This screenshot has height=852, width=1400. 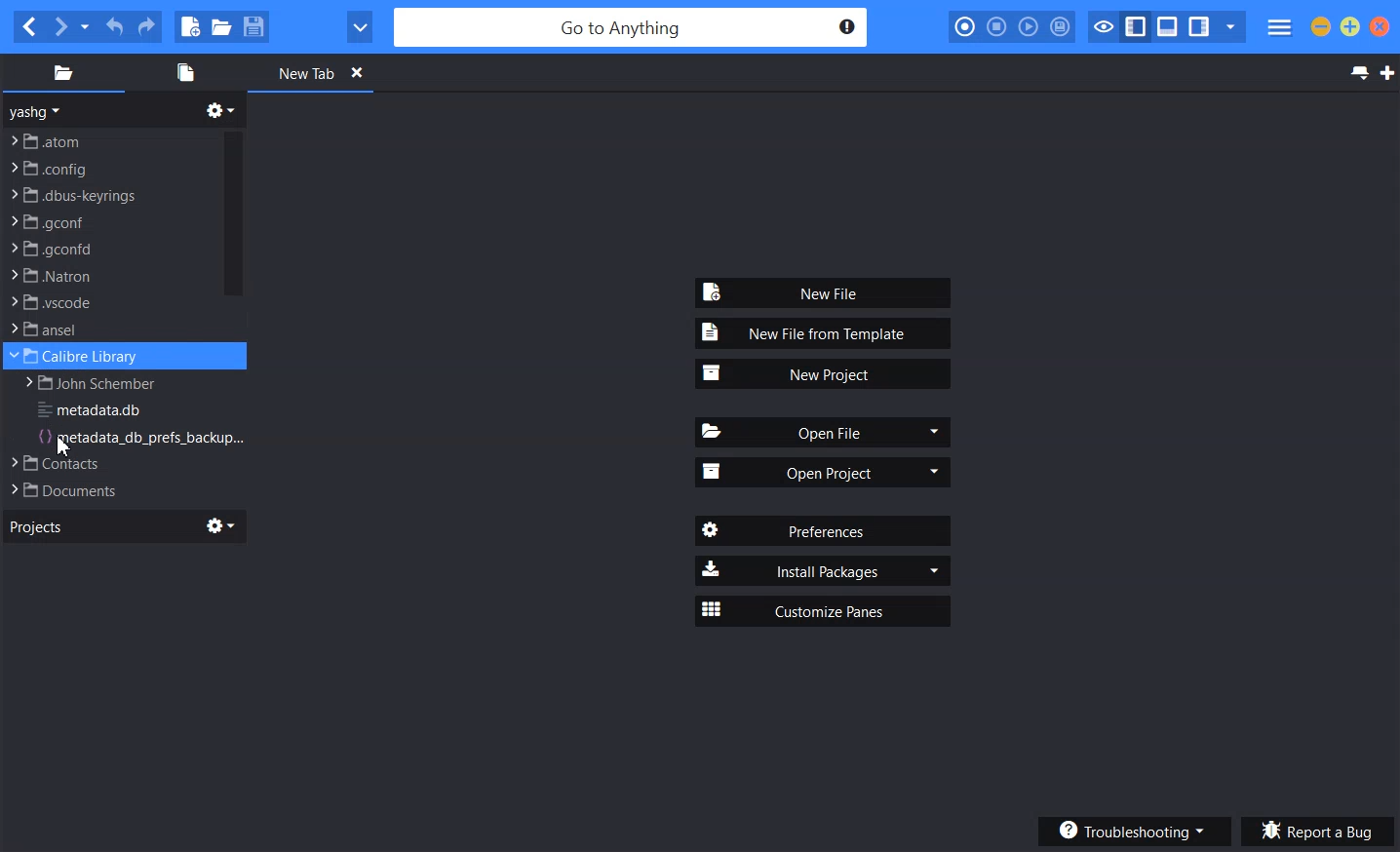 What do you see at coordinates (108, 329) in the screenshot?
I see `File` at bounding box center [108, 329].